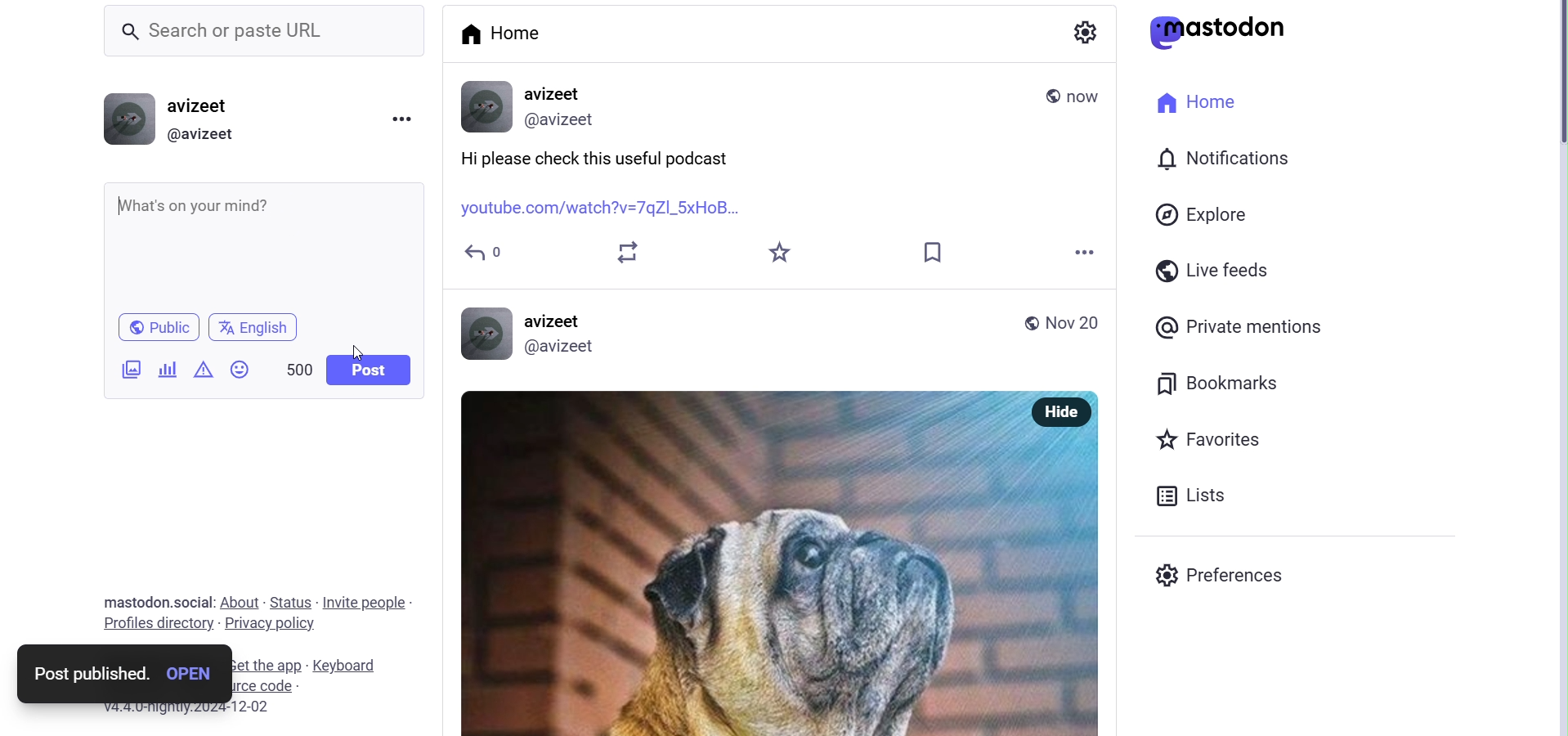 The image size is (1568, 736). Describe the element at coordinates (1031, 321) in the screenshot. I see `public` at that location.